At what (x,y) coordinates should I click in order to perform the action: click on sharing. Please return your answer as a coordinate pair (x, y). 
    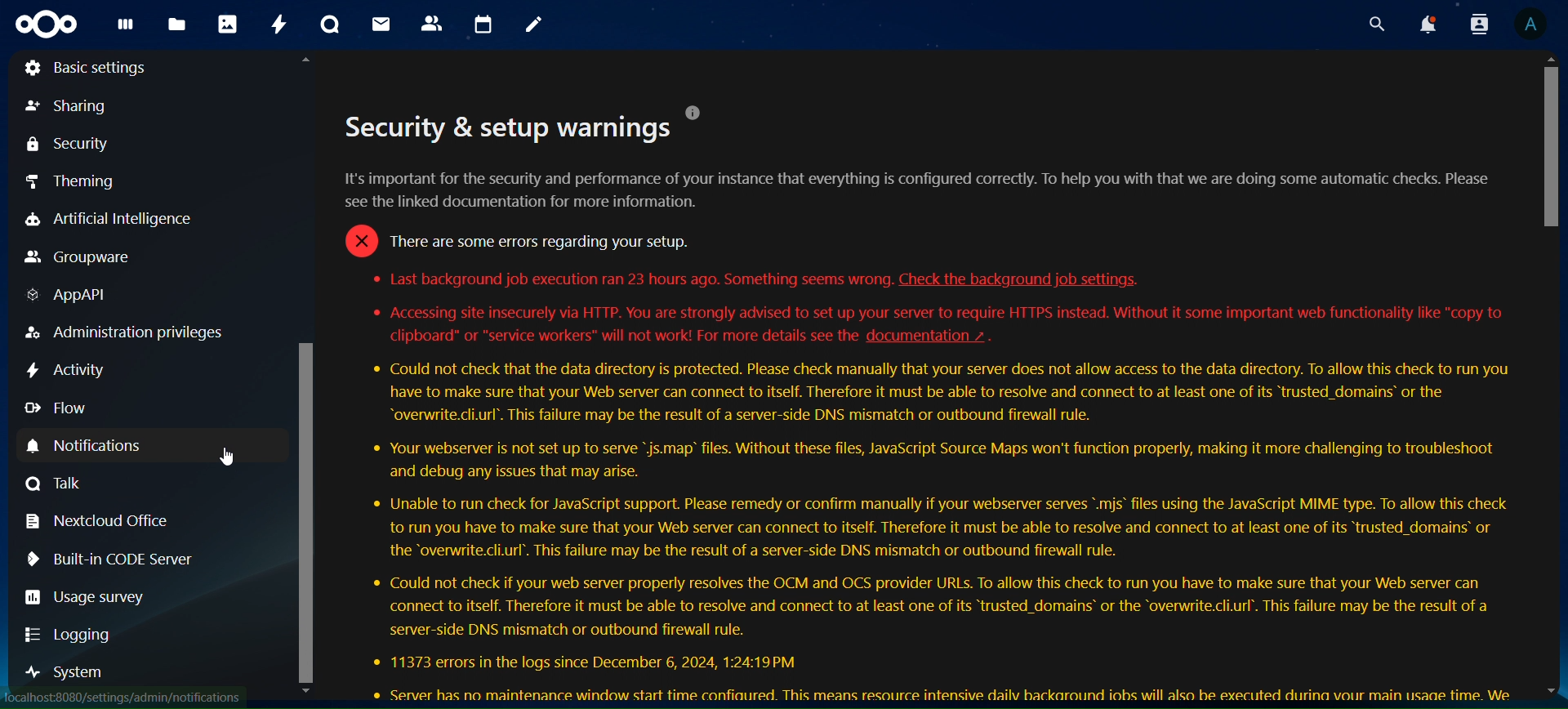
    Looking at the image, I should click on (68, 106).